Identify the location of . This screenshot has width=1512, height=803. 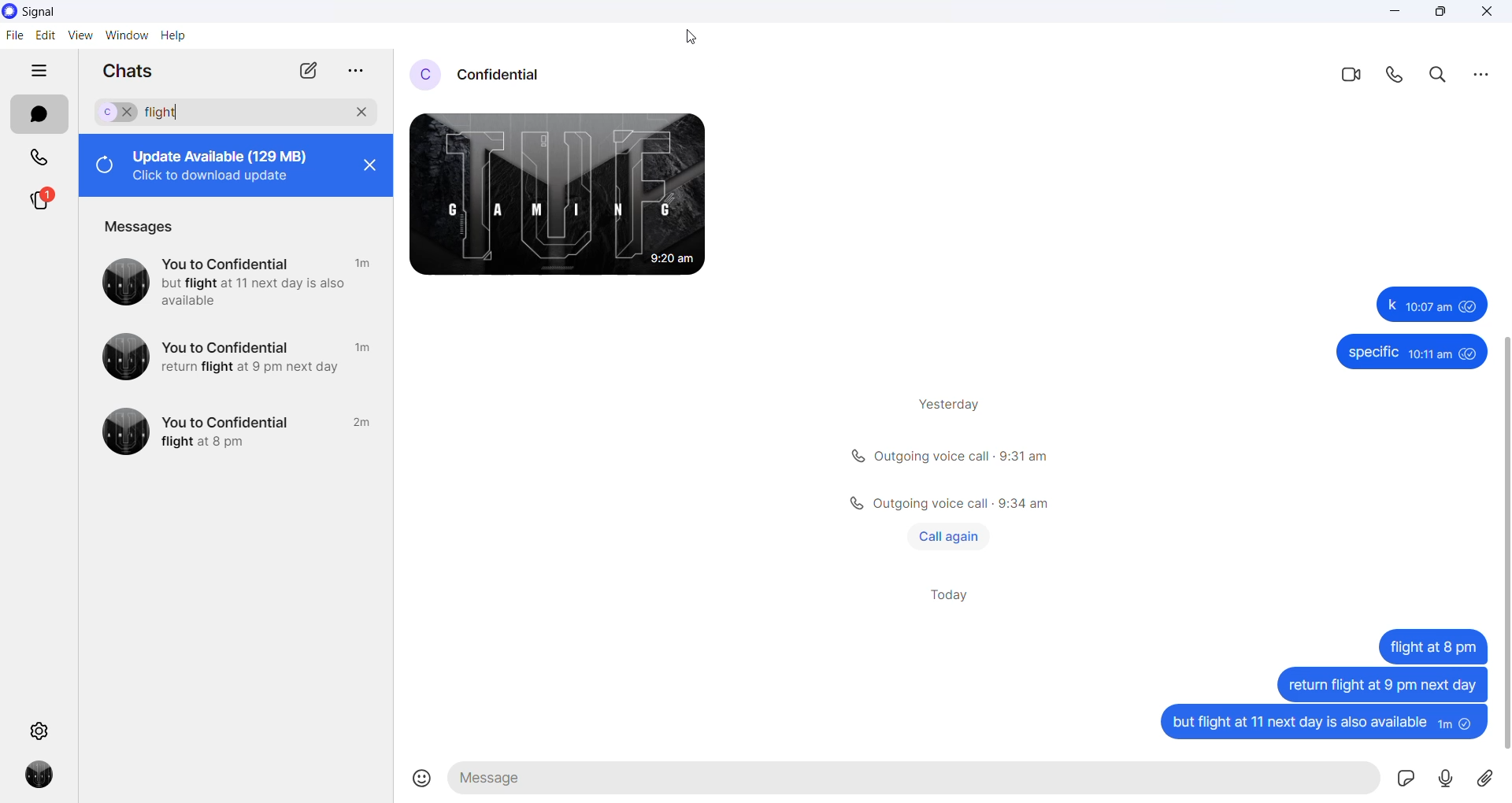
(237, 432).